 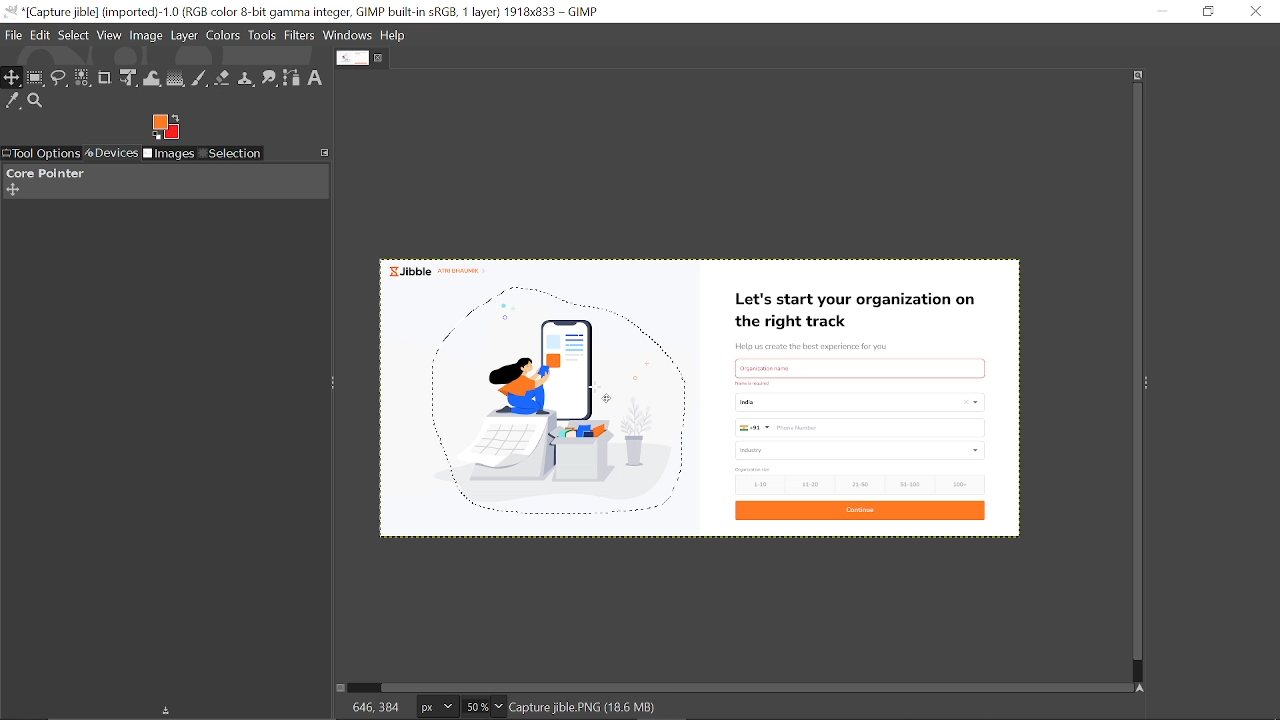 I want to click on 1-10, so click(x=754, y=484).